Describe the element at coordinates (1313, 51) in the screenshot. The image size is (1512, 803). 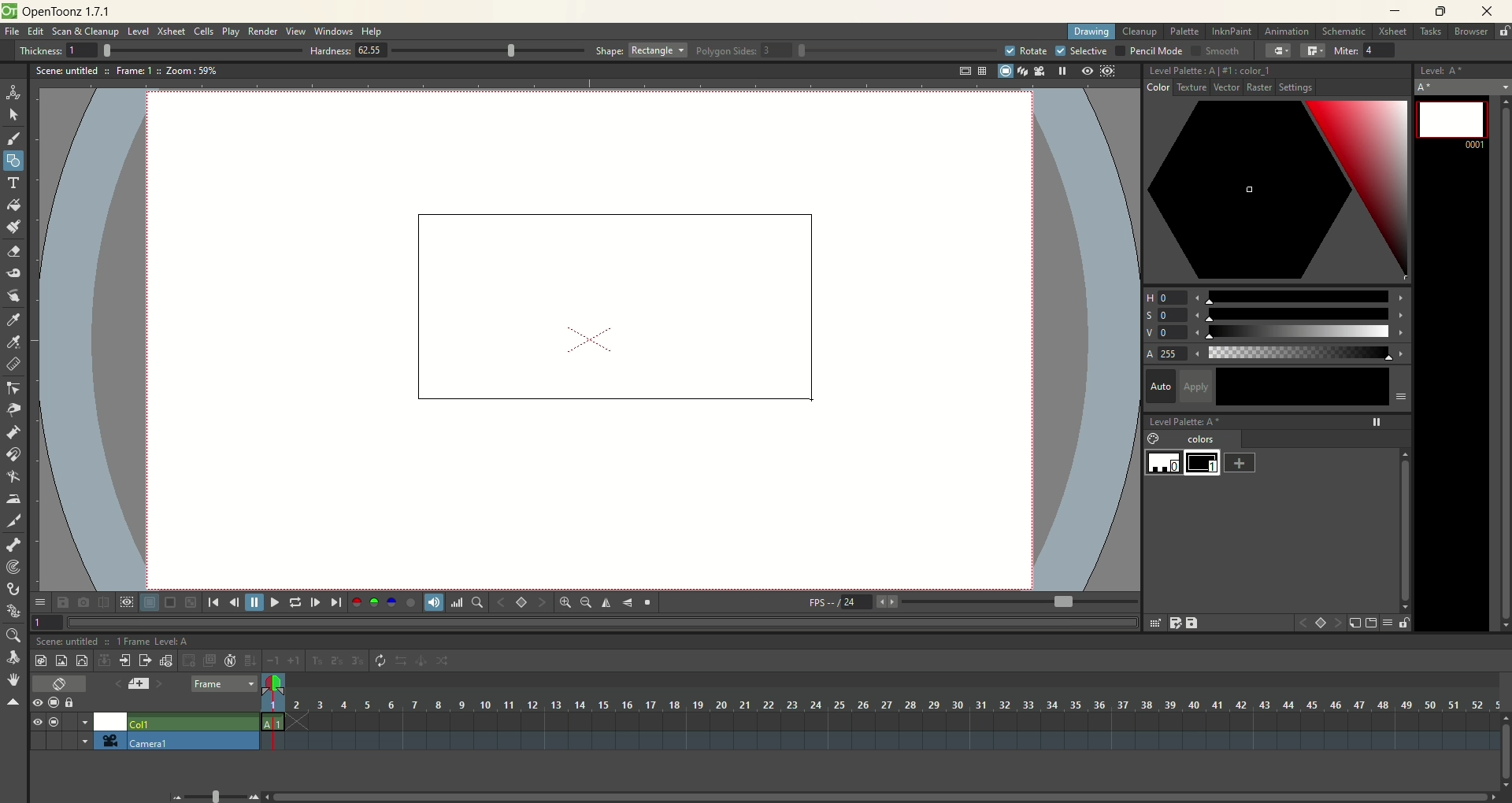
I see `join` at that location.